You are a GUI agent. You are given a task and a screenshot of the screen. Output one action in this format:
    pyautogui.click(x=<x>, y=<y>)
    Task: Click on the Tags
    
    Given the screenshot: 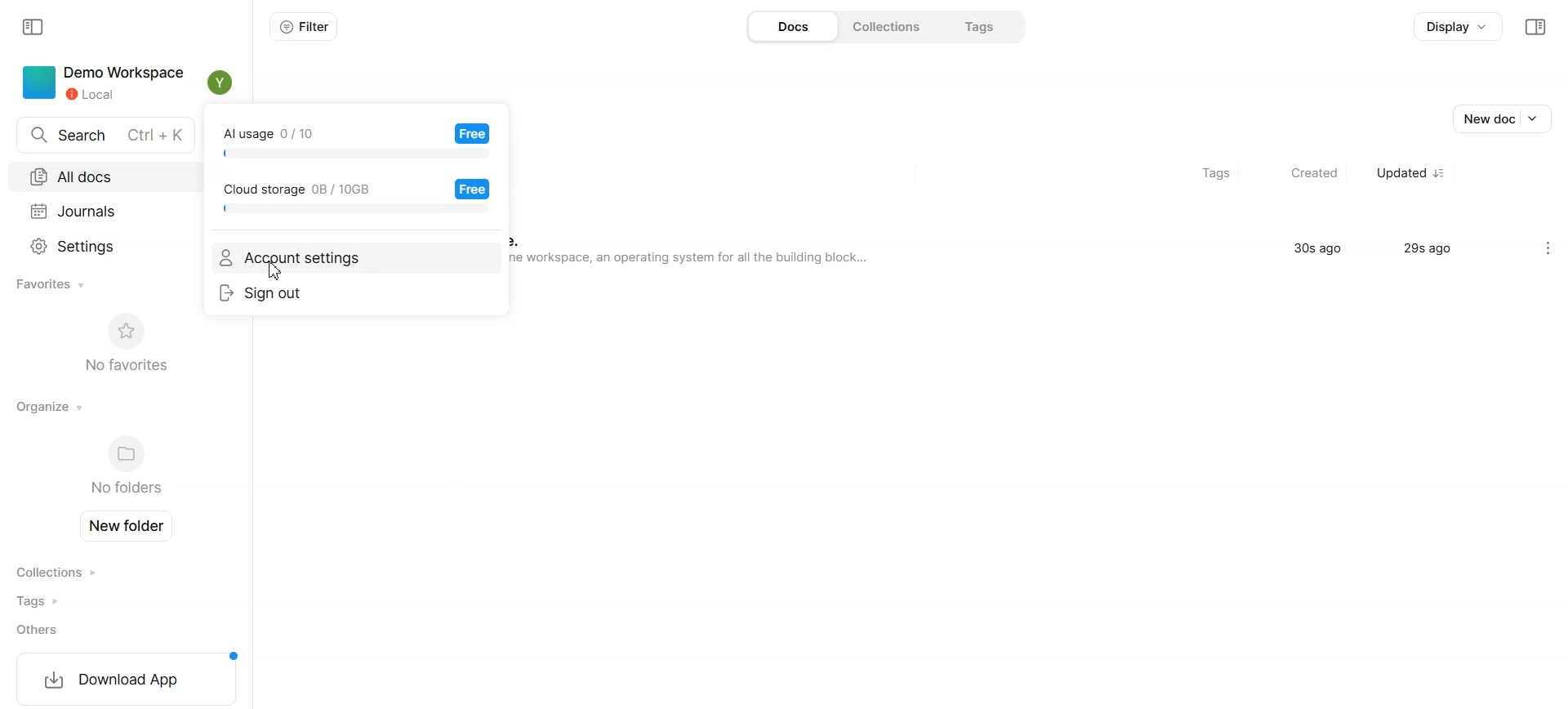 What is the action you would take?
    pyautogui.click(x=982, y=25)
    